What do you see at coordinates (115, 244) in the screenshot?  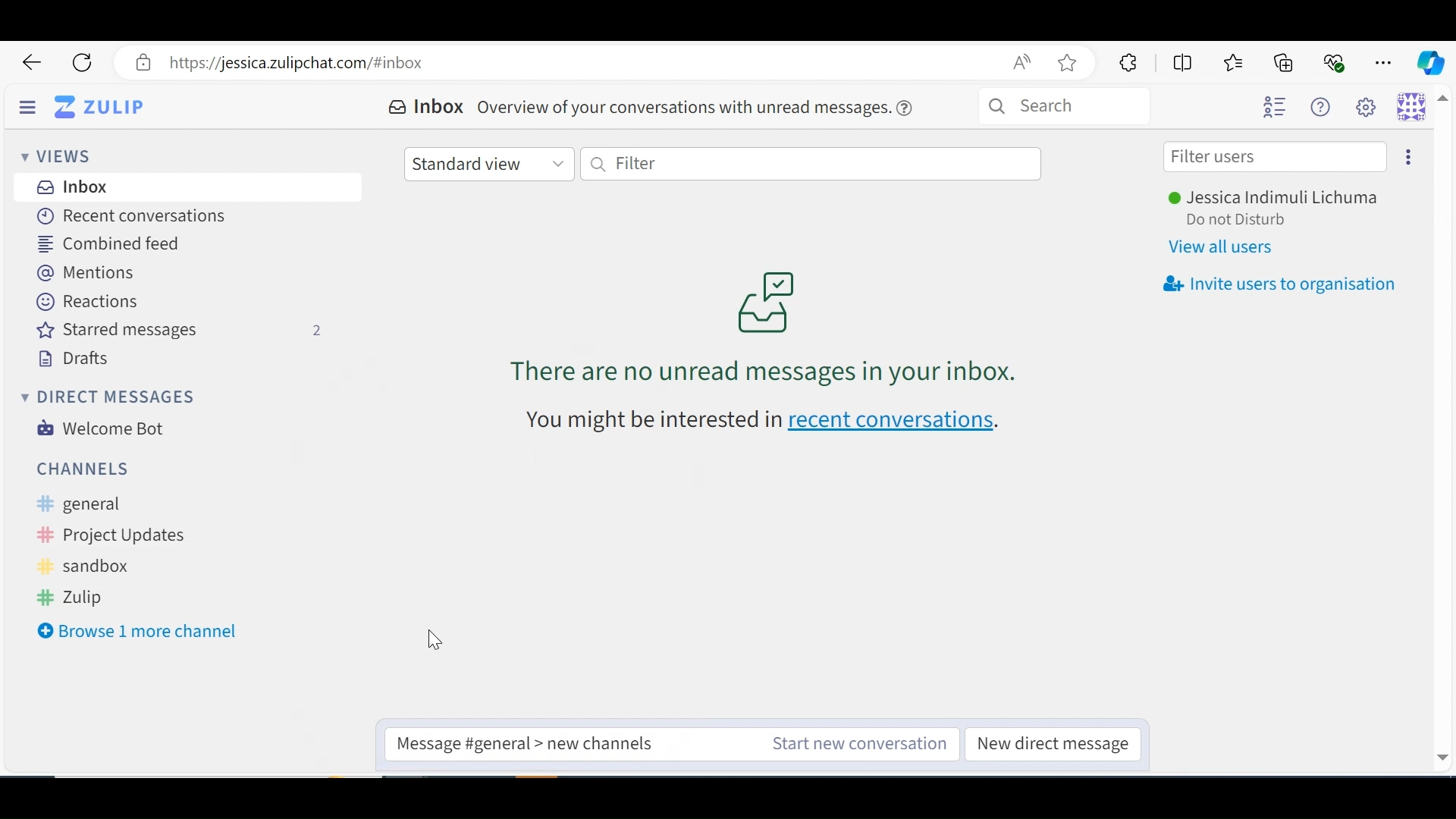 I see `Combined feed` at bounding box center [115, 244].